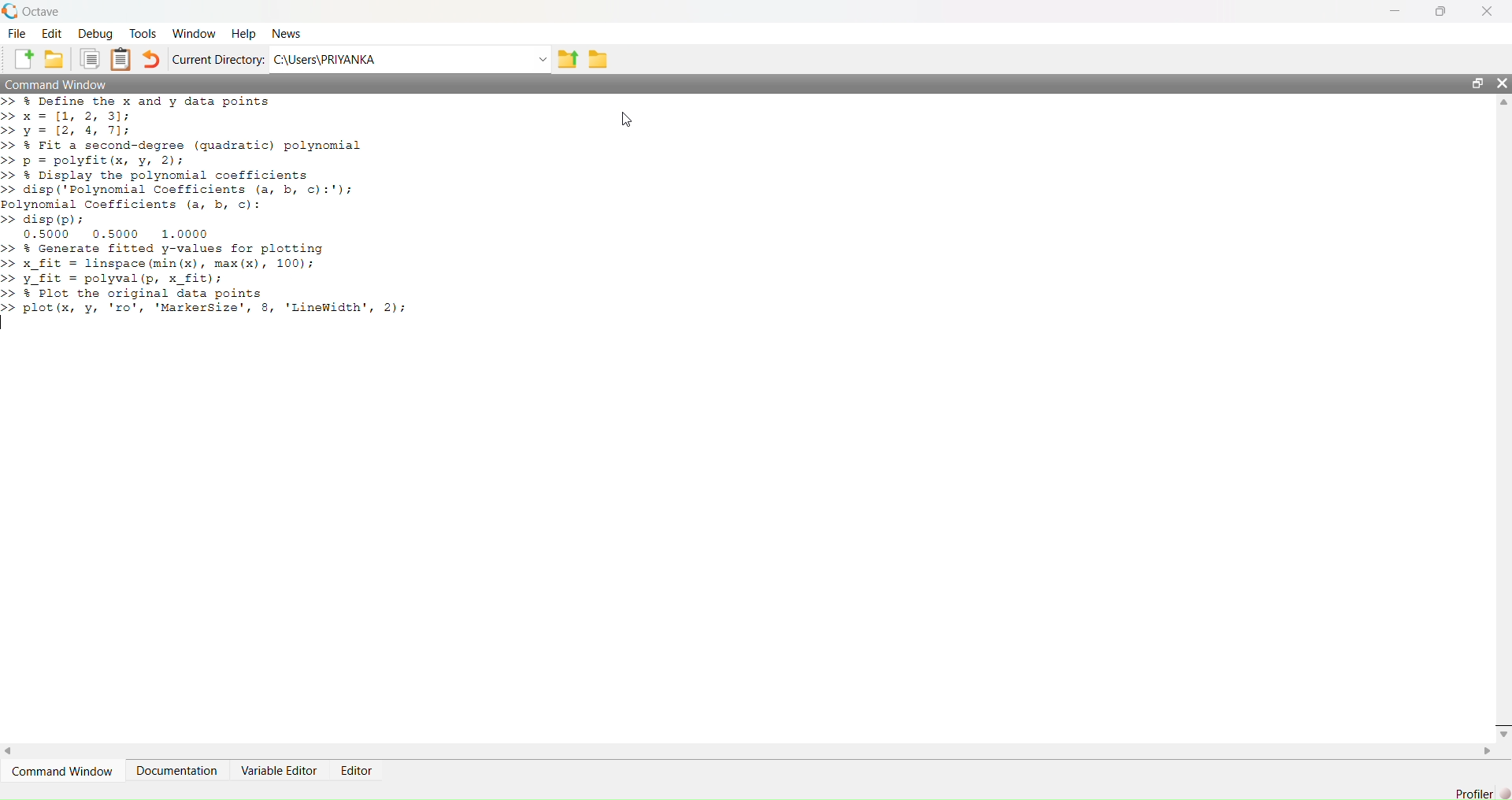 This screenshot has height=800, width=1512. I want to click on Maximize, so click(1476, 83).